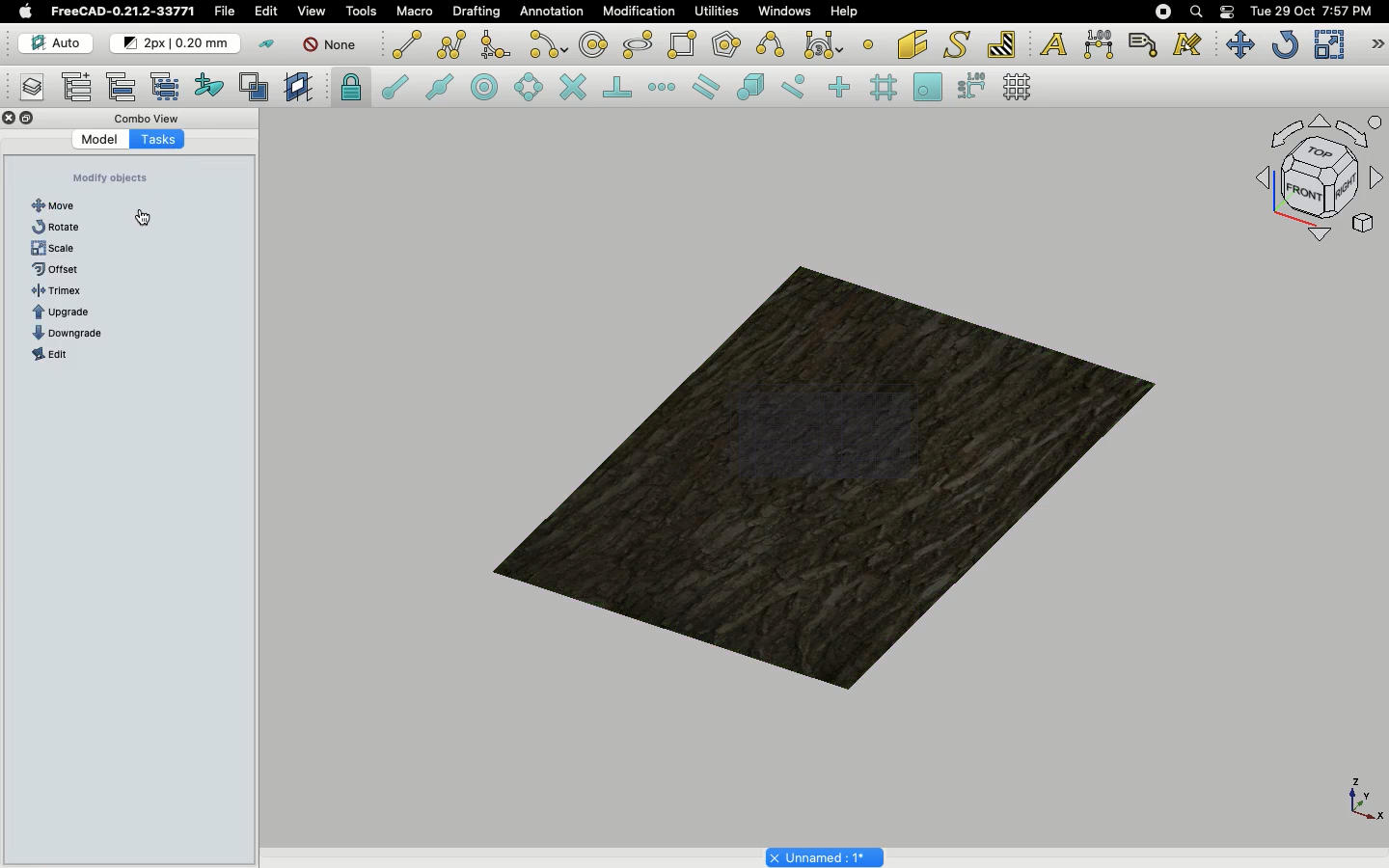 The height and width of the screenshot is (868, 1389). Describe the element at coordinates (754, 89) in the screenshot. I see `Snap special ` at that location.